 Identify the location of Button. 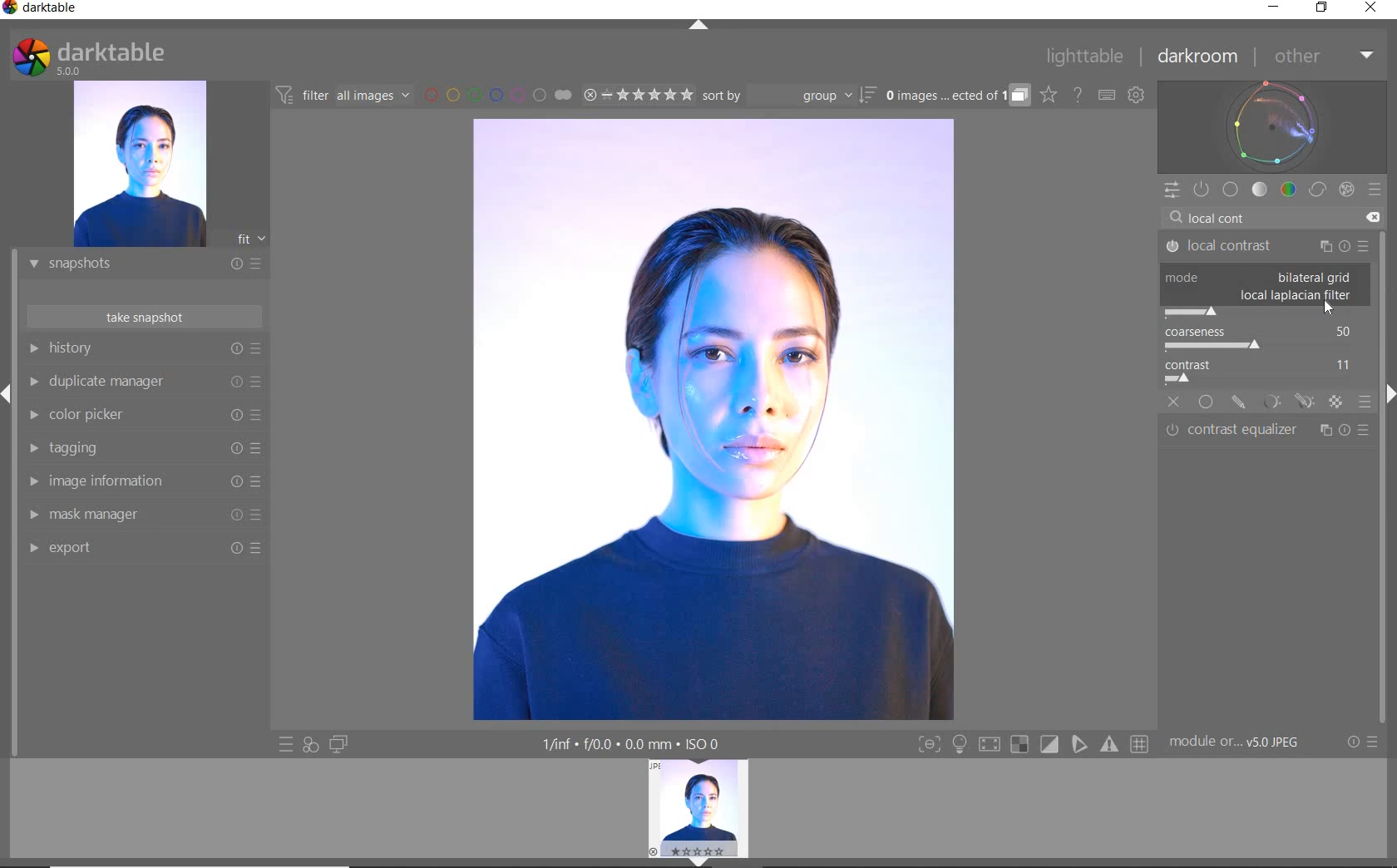
(1019, 745).